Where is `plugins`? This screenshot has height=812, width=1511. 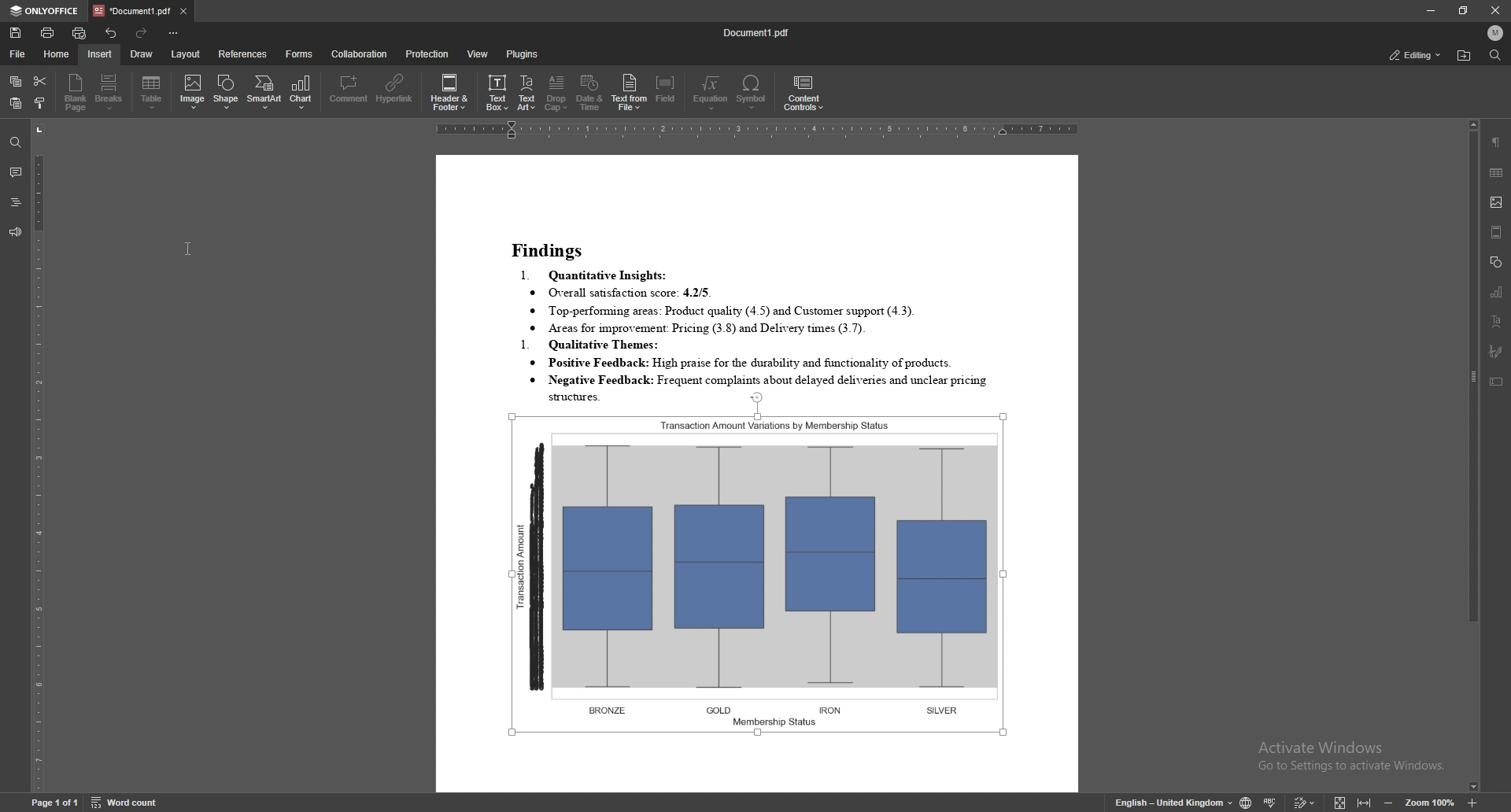
plugins is located at coordinates (524, 54).